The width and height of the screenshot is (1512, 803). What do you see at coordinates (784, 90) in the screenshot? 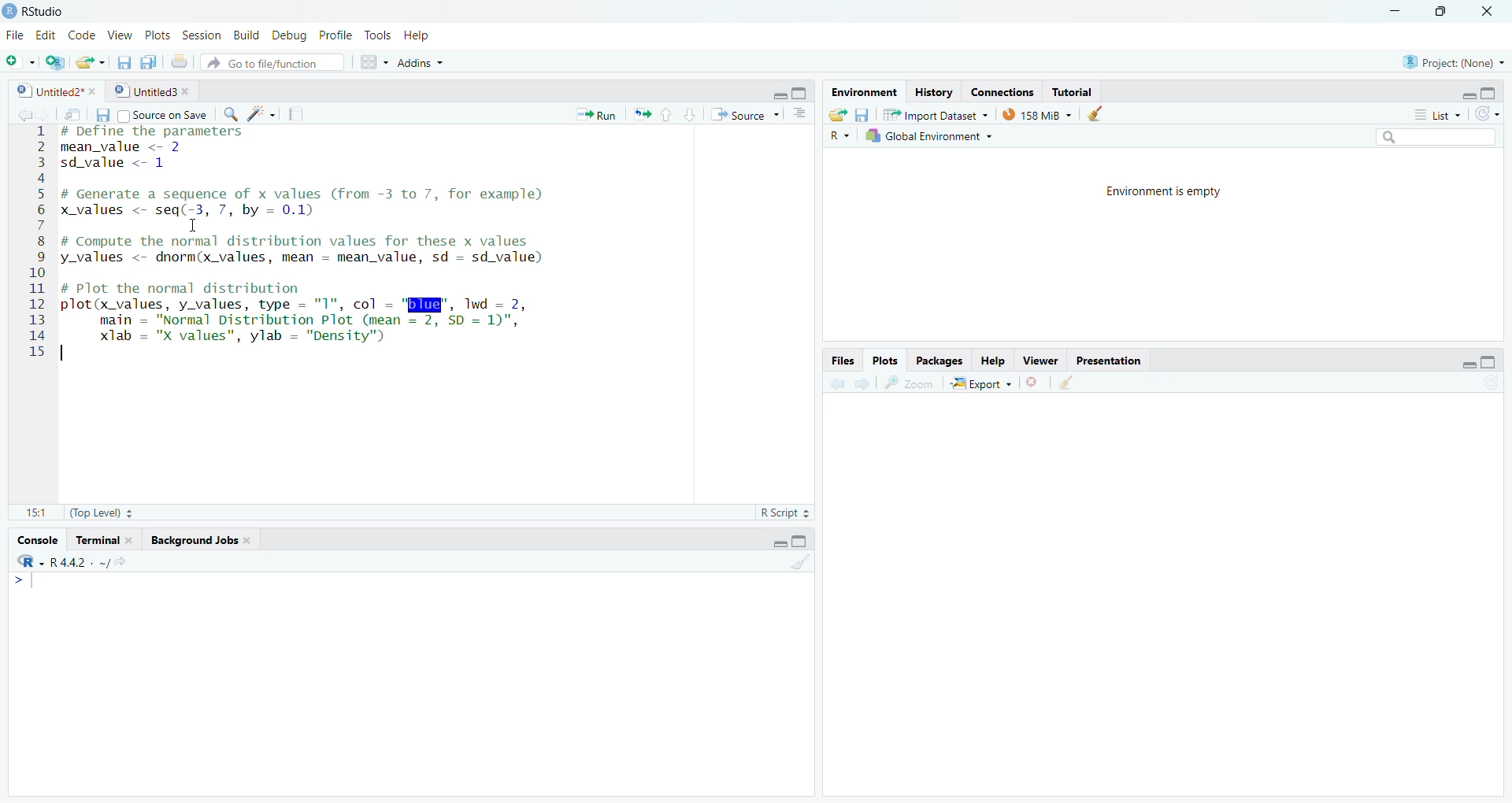
I see `Maximize/minimize` at bounding box center [784, 90].